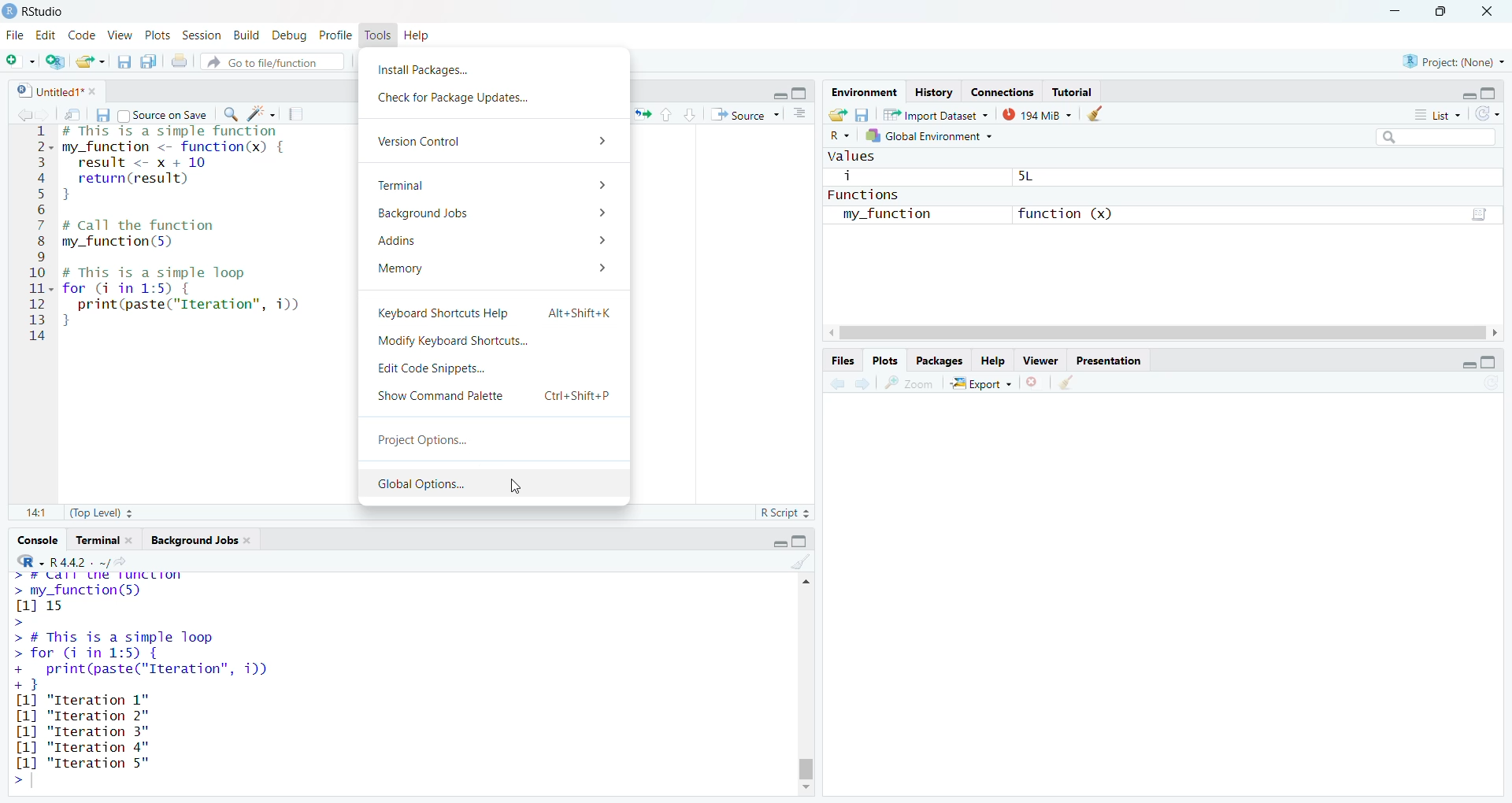 The height and width of the screenshot is (803, 1512). I want to click on clear all plots, so click(1071, 383).